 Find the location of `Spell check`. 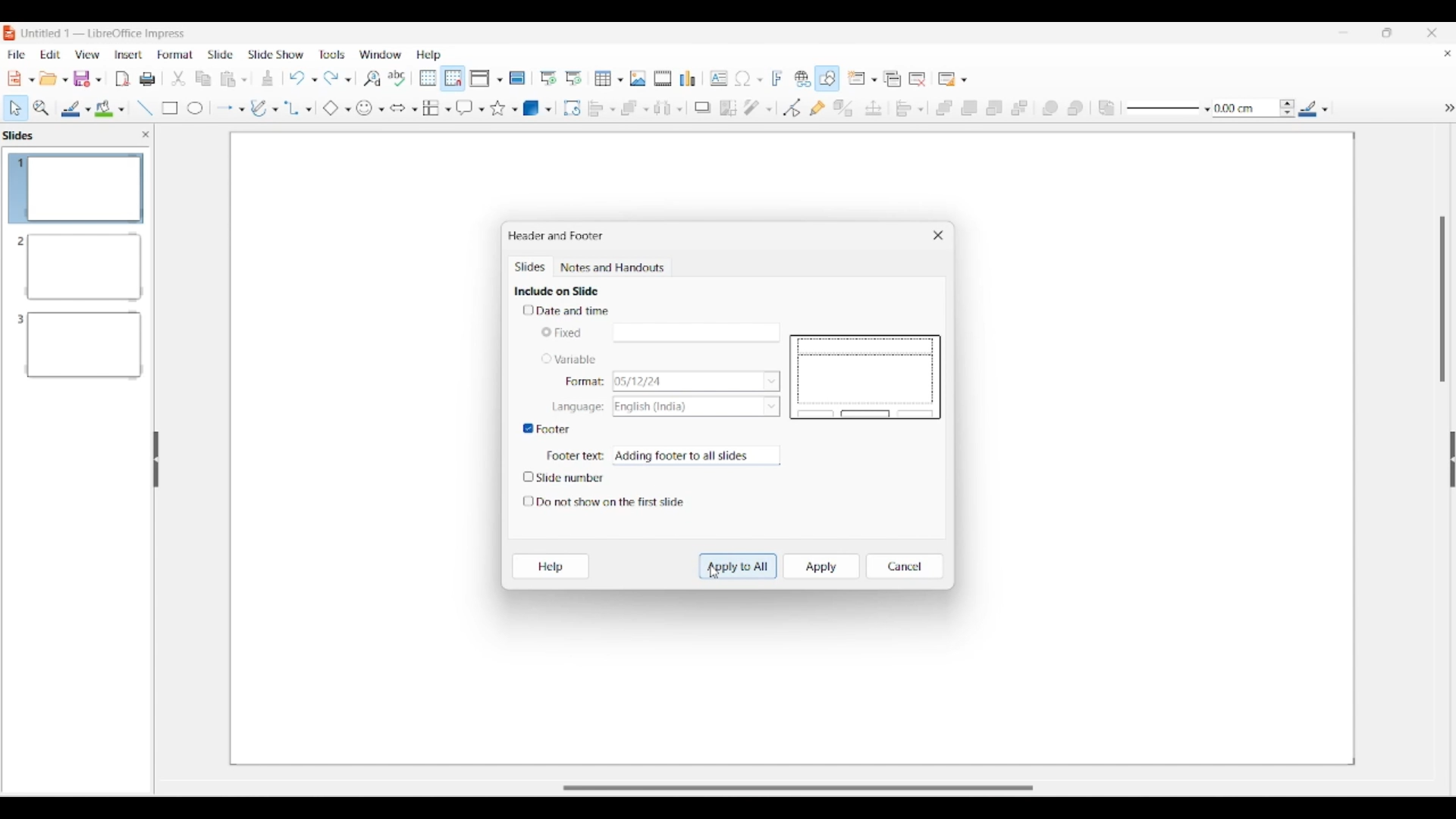

Spell check is located at coordinates (397, 78).